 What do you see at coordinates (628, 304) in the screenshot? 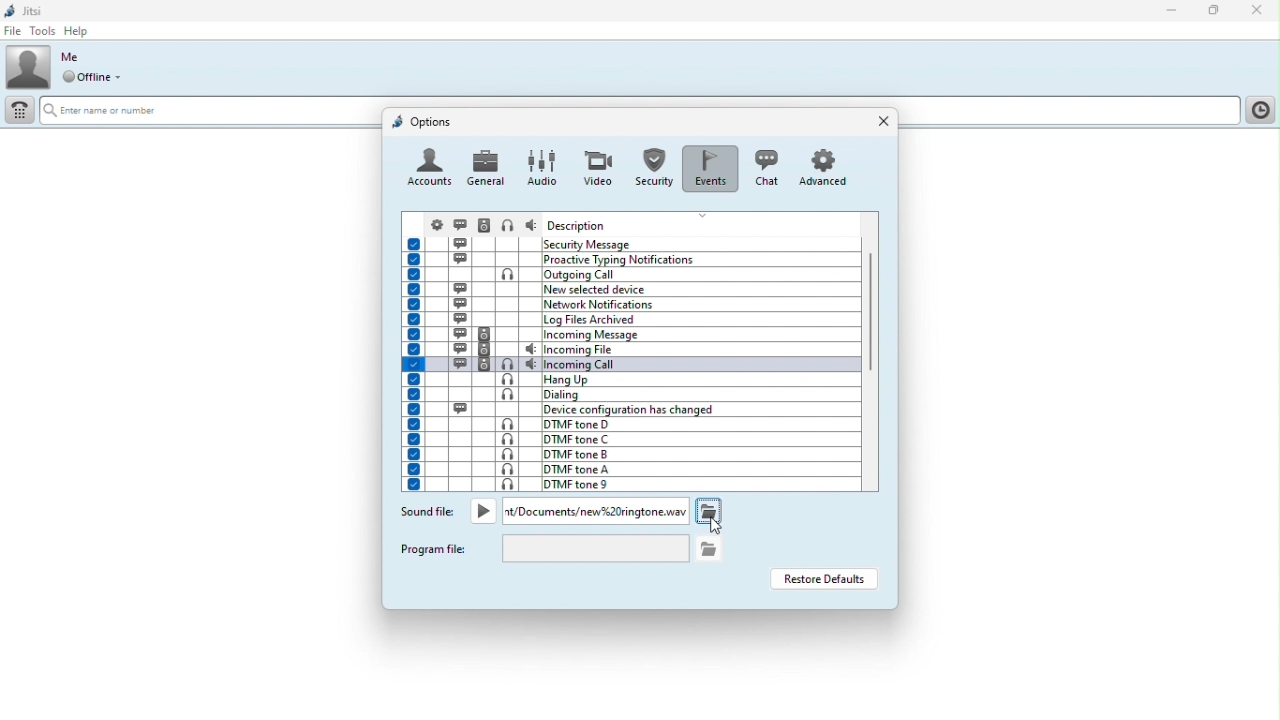
I see `network notifications ` at bounding box center [628, 304].